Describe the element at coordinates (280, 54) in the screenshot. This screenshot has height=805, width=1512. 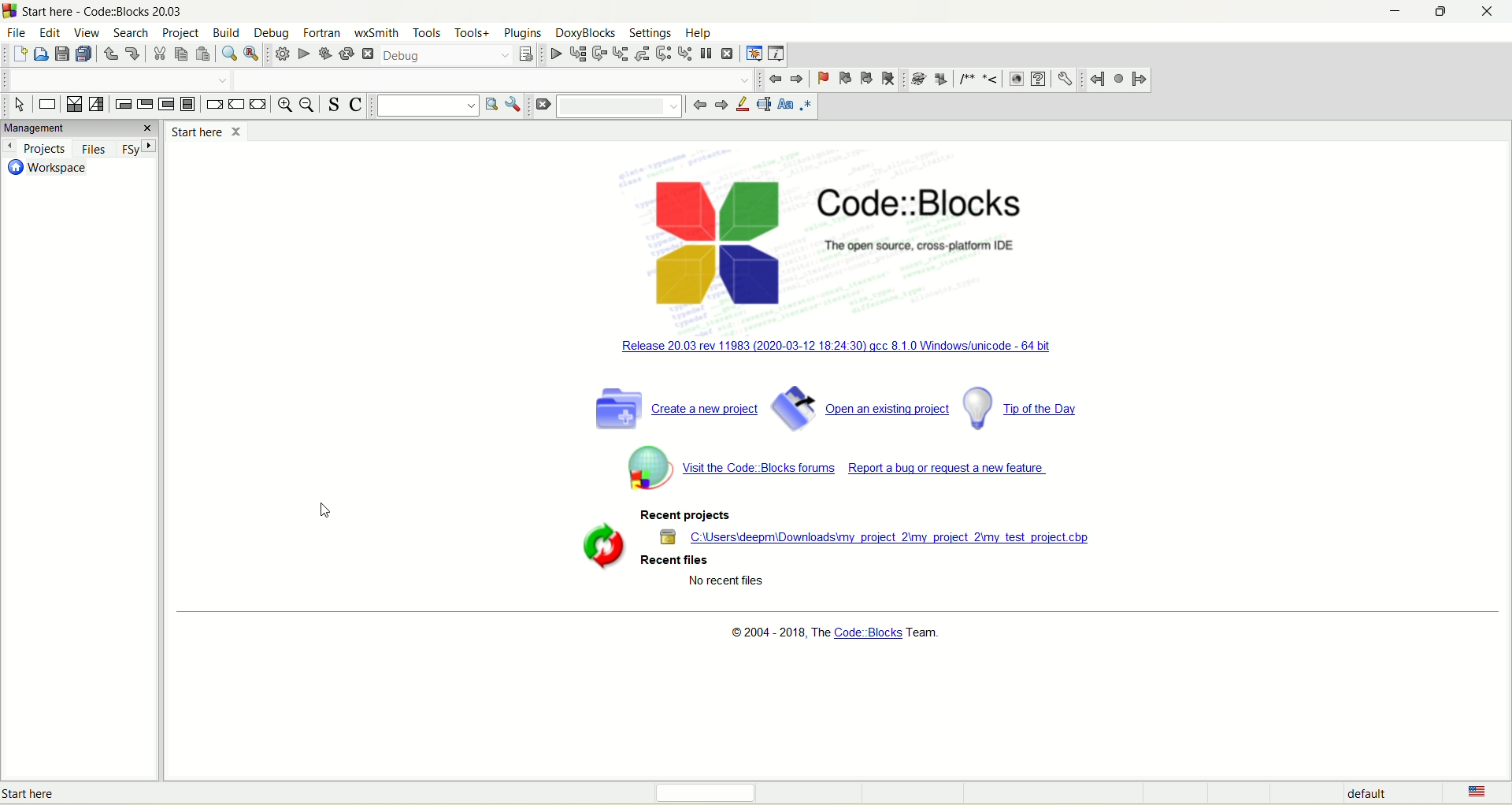
I see `build` at that location.